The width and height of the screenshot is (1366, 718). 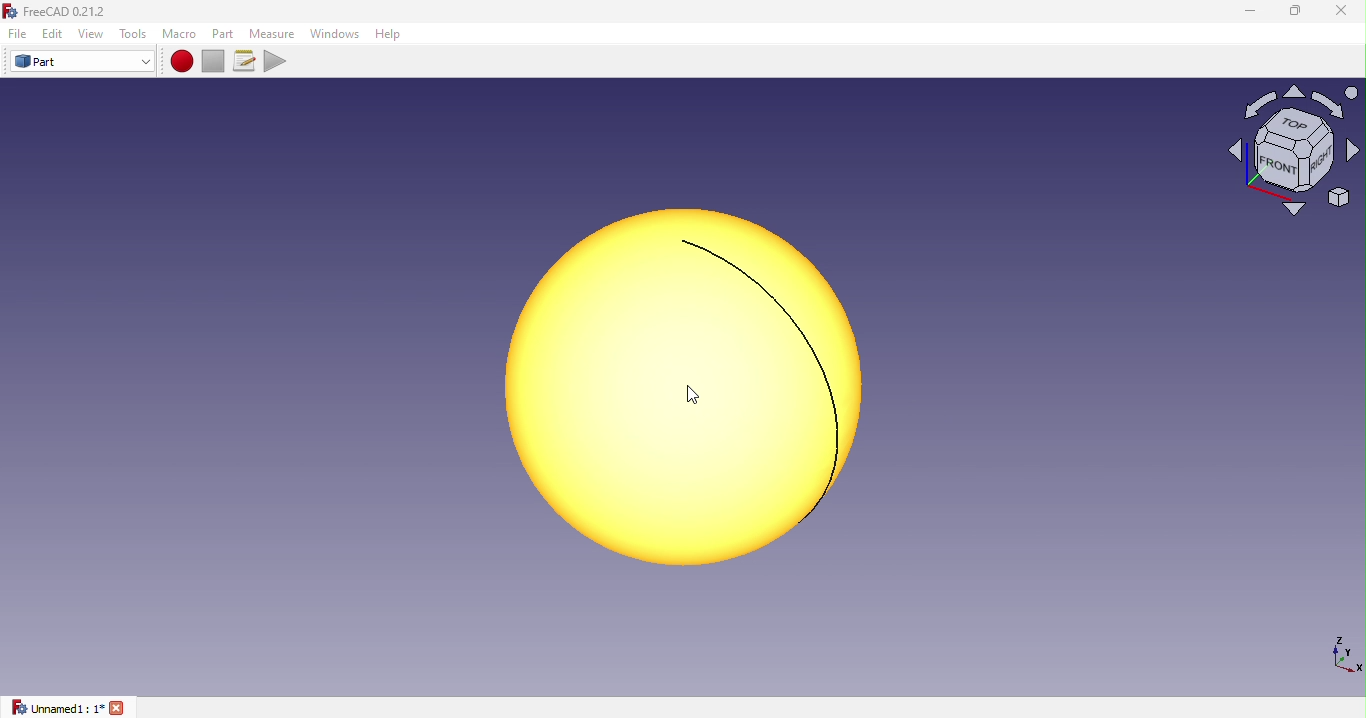 What do you see at coordinates (1342, 653) in the screenshot?
I see `Dimensions` at bounding box center [1342, 653].